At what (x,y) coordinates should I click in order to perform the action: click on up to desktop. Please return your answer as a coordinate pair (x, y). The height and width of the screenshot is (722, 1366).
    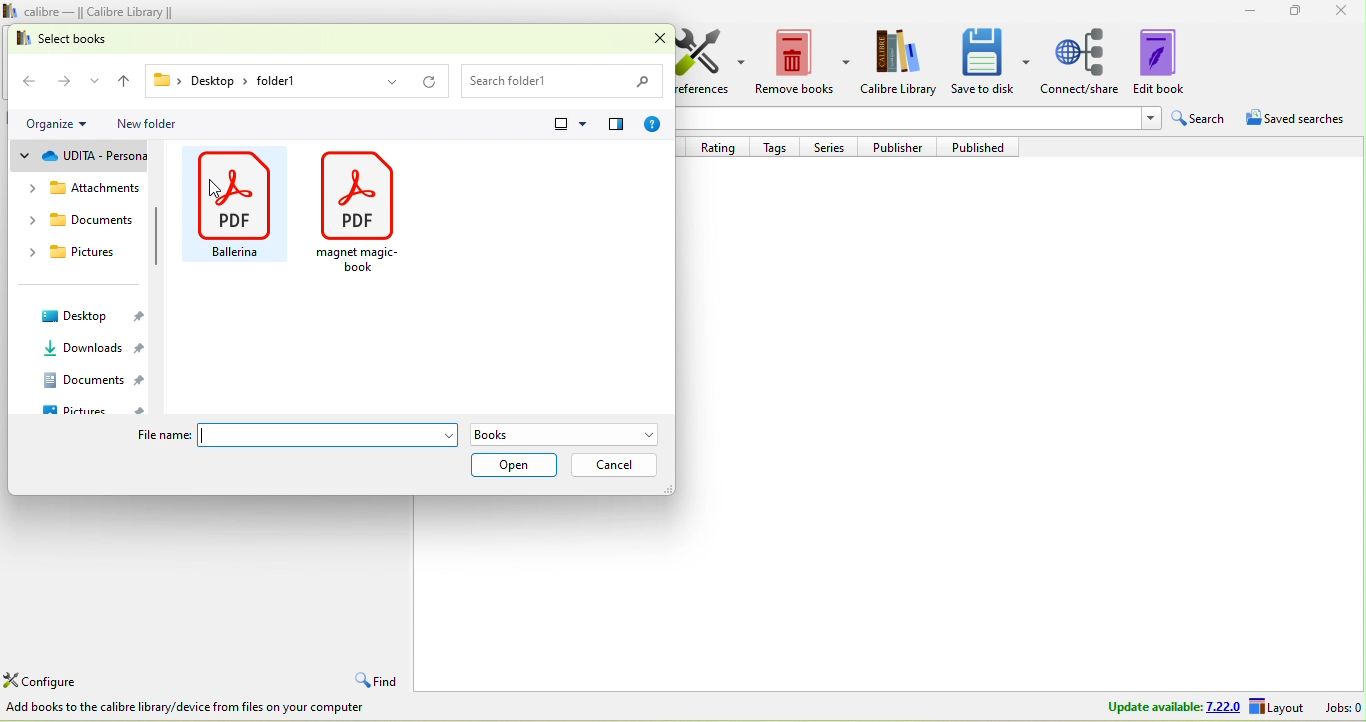
    Looking at the image, I should click on (123, 78).